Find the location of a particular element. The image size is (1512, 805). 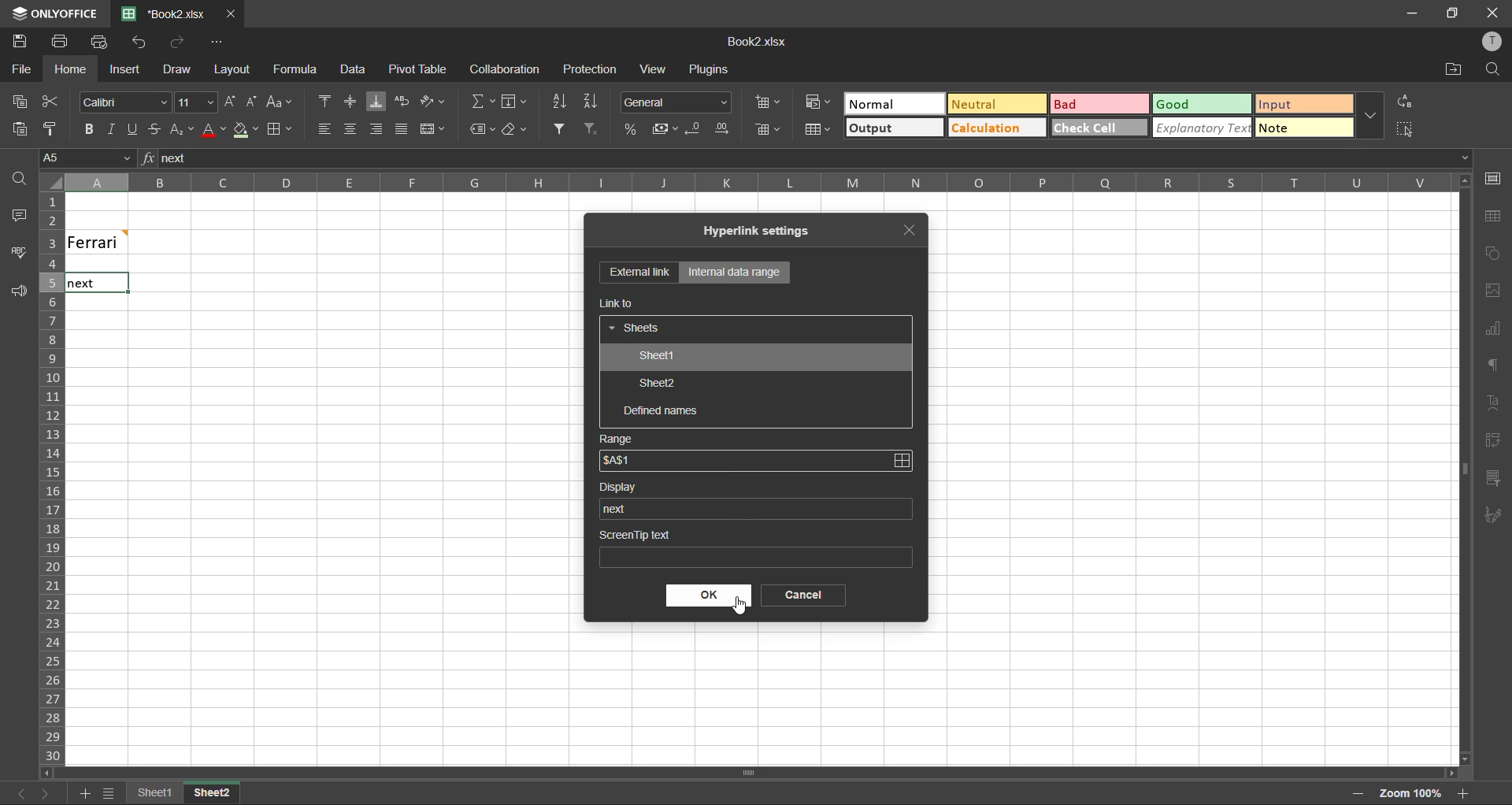

Next is located at coordinates (80, 284).